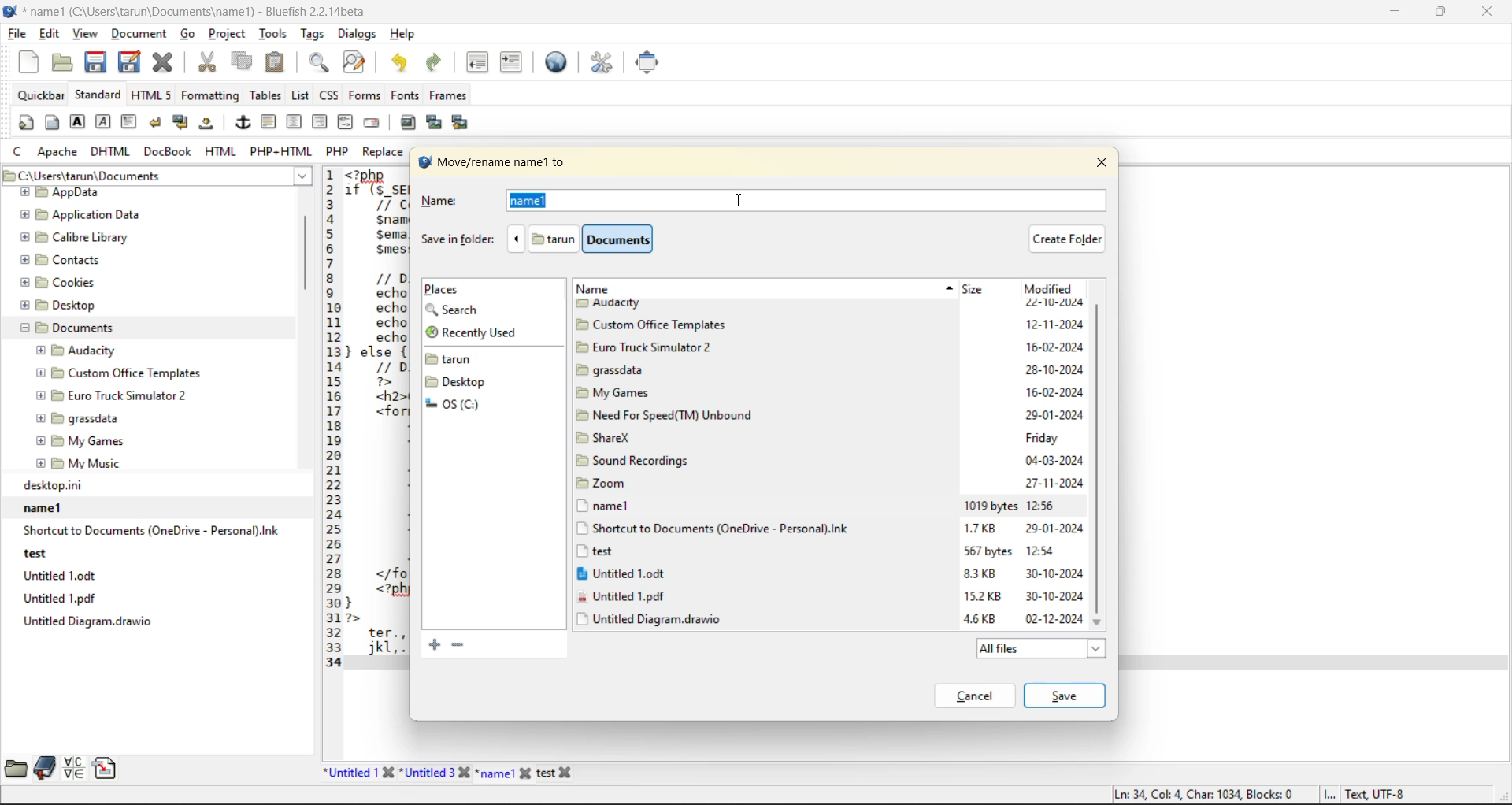 The width and height of the screenshot is (1512, 805). What do you see at coordinates (517, 239) in the screenshot?
I see `previous folder` at bounding box center [517, 239].